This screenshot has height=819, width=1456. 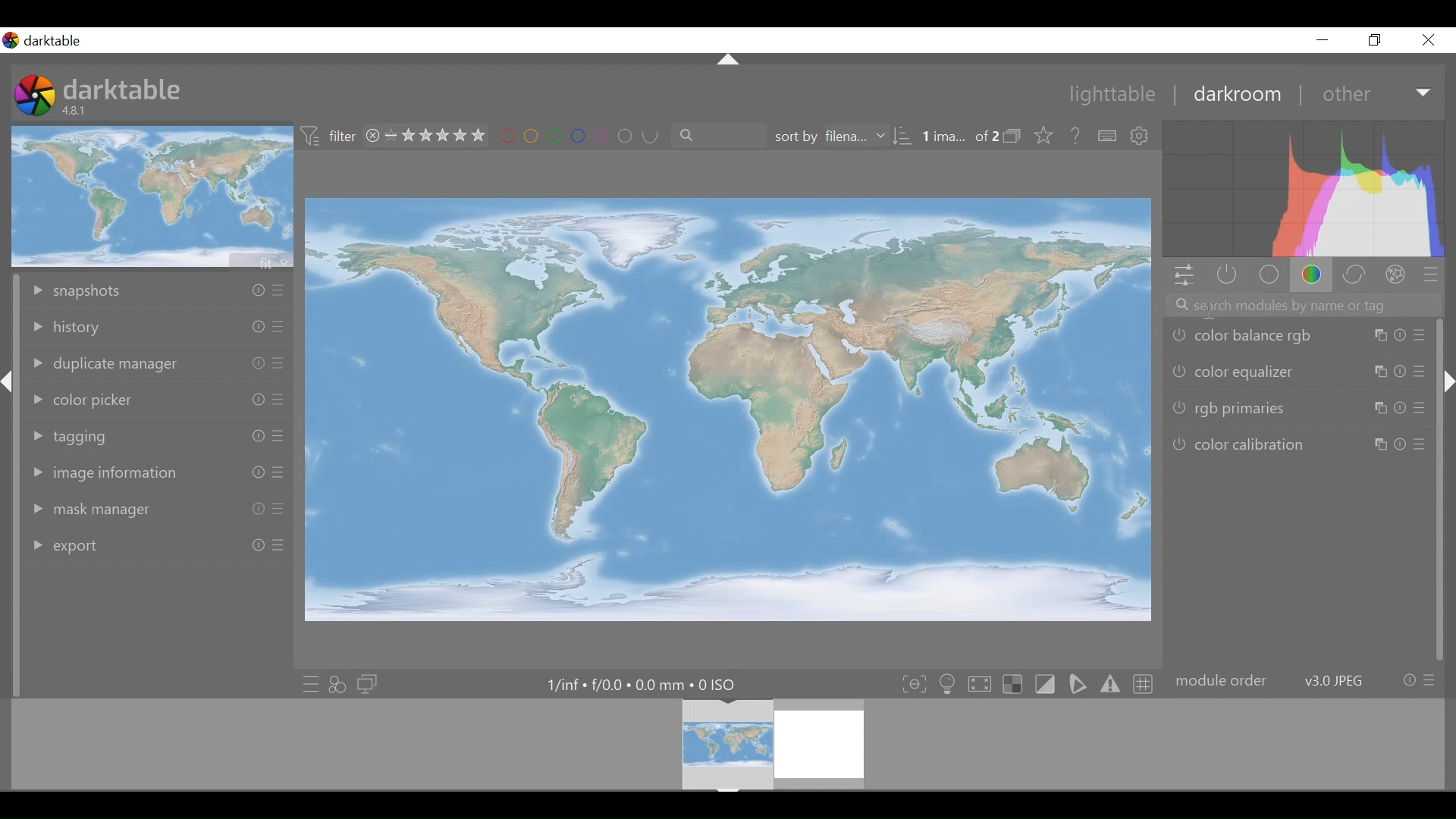 I want to click on search modules, so click(x=1307, y=309).